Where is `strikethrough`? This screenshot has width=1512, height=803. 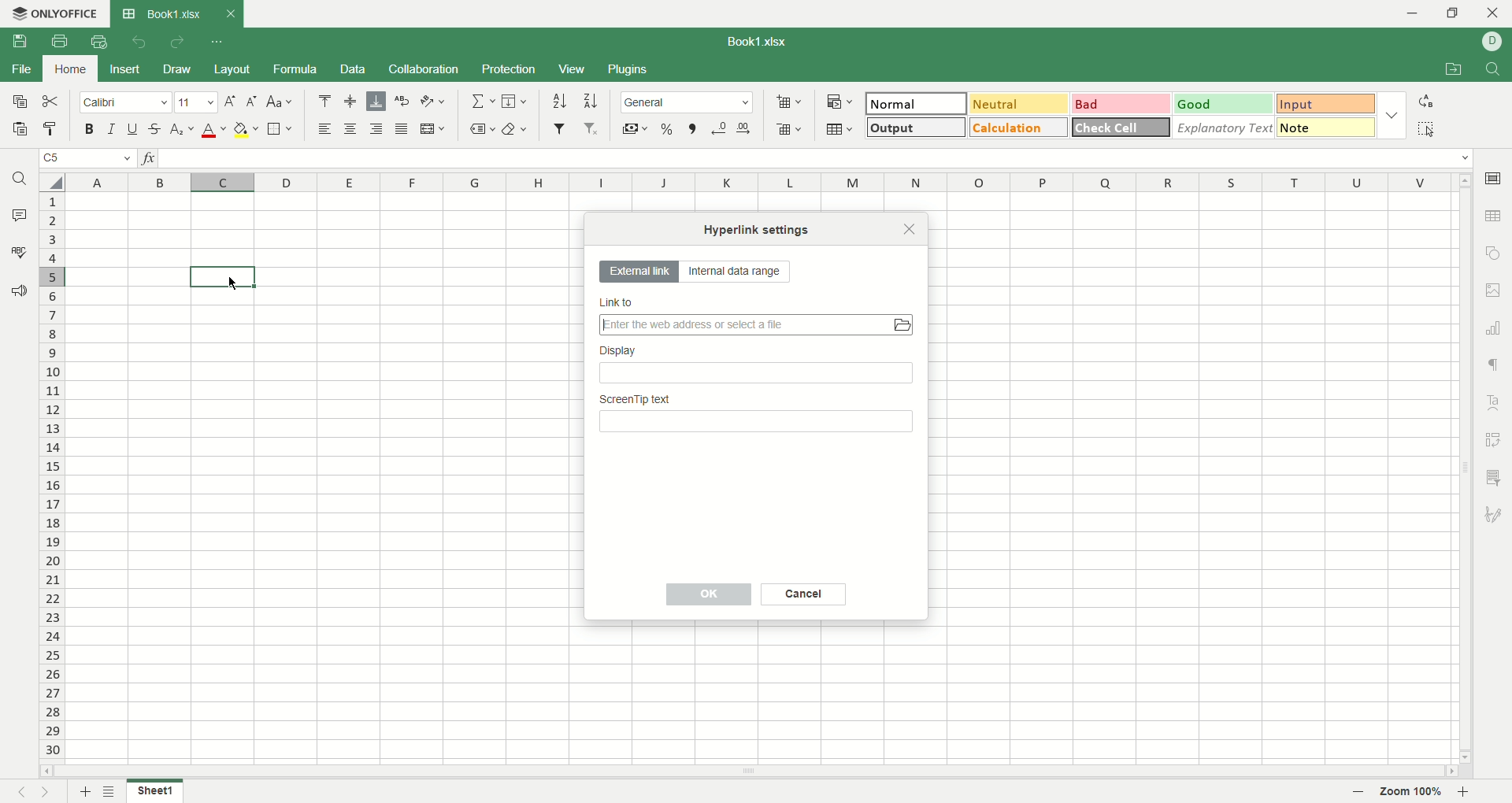 strikethrough is located at coordinates (154, 128).